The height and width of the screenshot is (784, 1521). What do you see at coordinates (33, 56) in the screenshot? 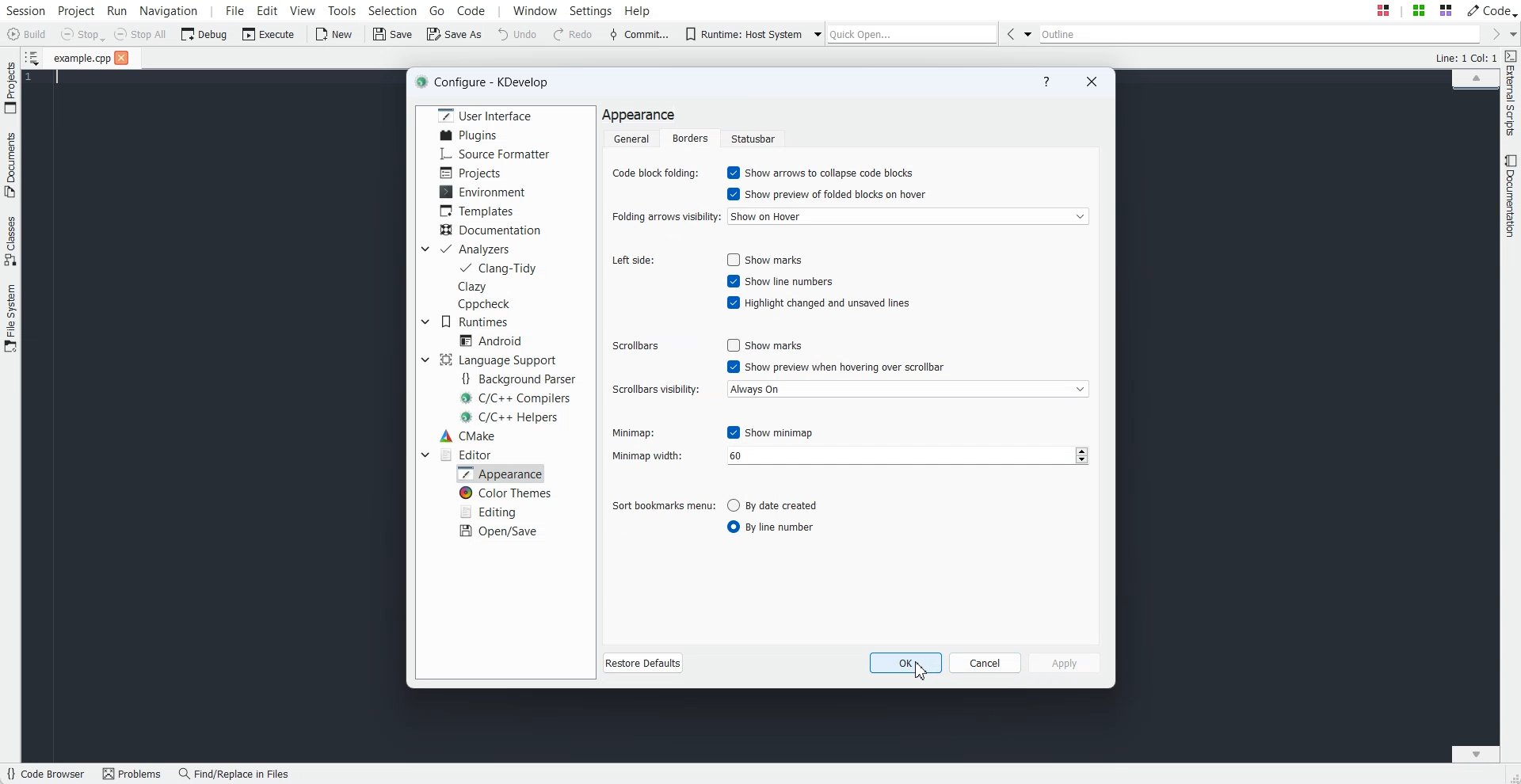
I see `Show sorted list` at bounding box center [33, 56].